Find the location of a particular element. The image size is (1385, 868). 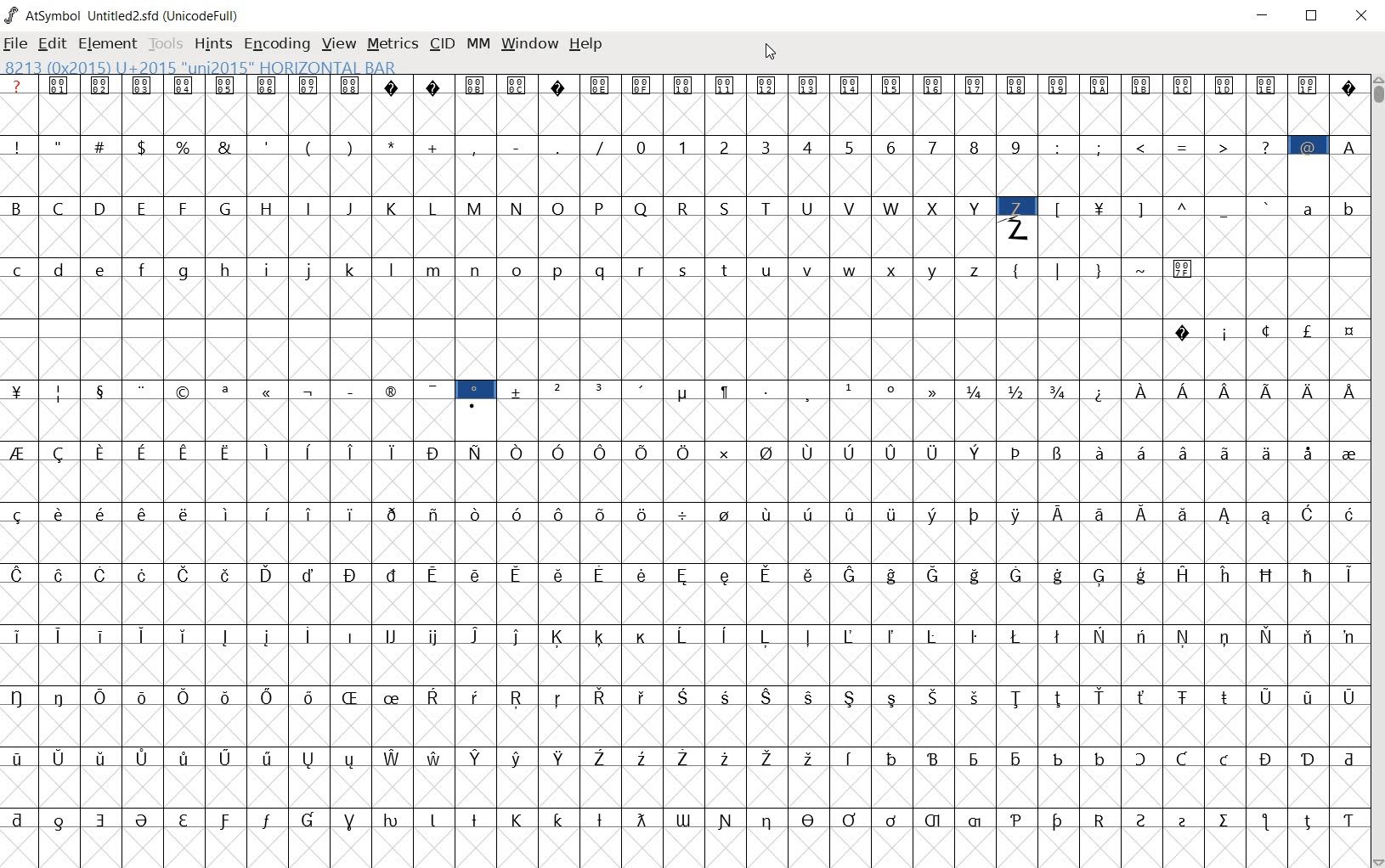

glyph characters is located at coordinates (683, 468).